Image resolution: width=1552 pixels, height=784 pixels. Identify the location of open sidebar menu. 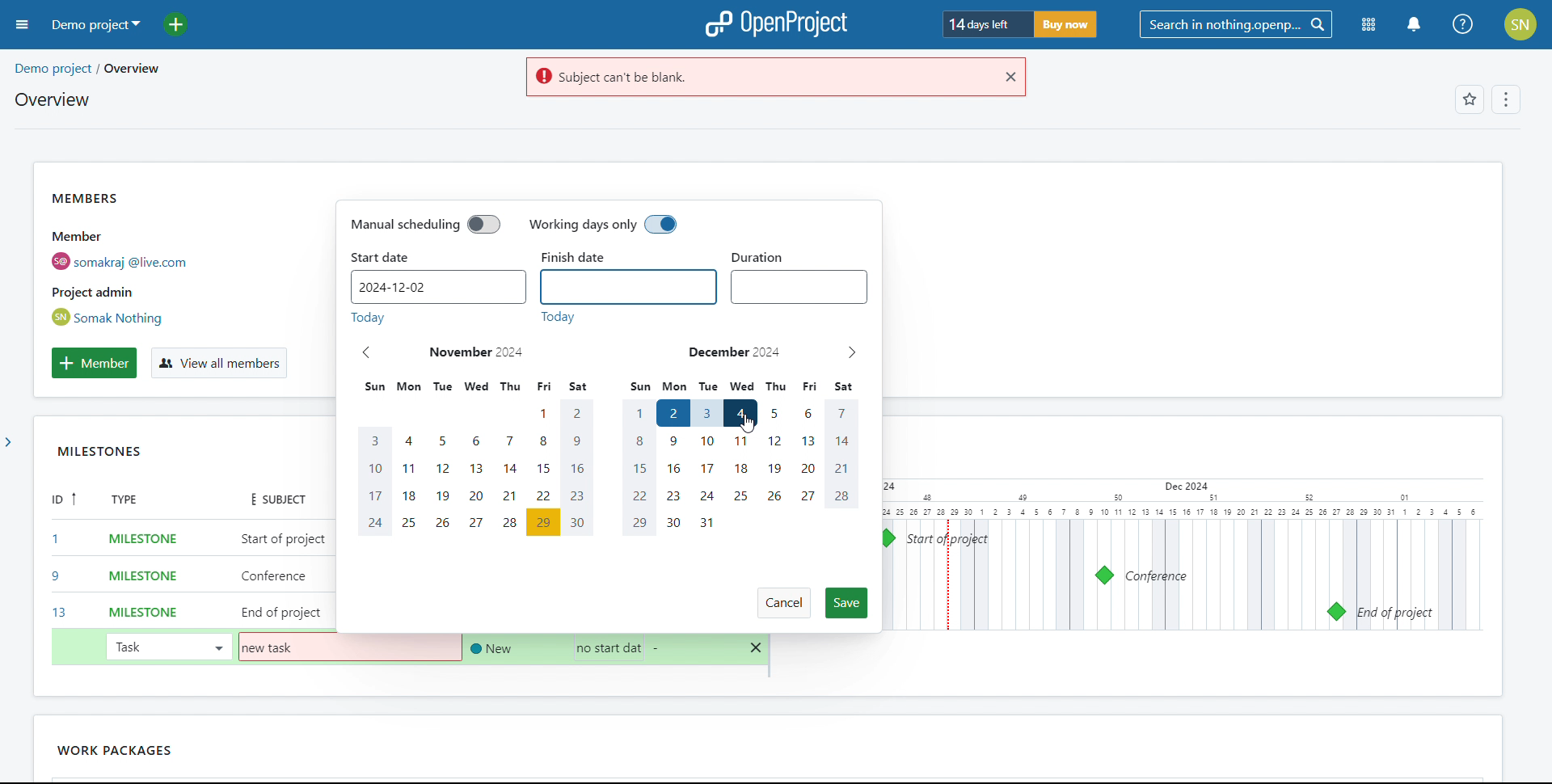
(23, 25).